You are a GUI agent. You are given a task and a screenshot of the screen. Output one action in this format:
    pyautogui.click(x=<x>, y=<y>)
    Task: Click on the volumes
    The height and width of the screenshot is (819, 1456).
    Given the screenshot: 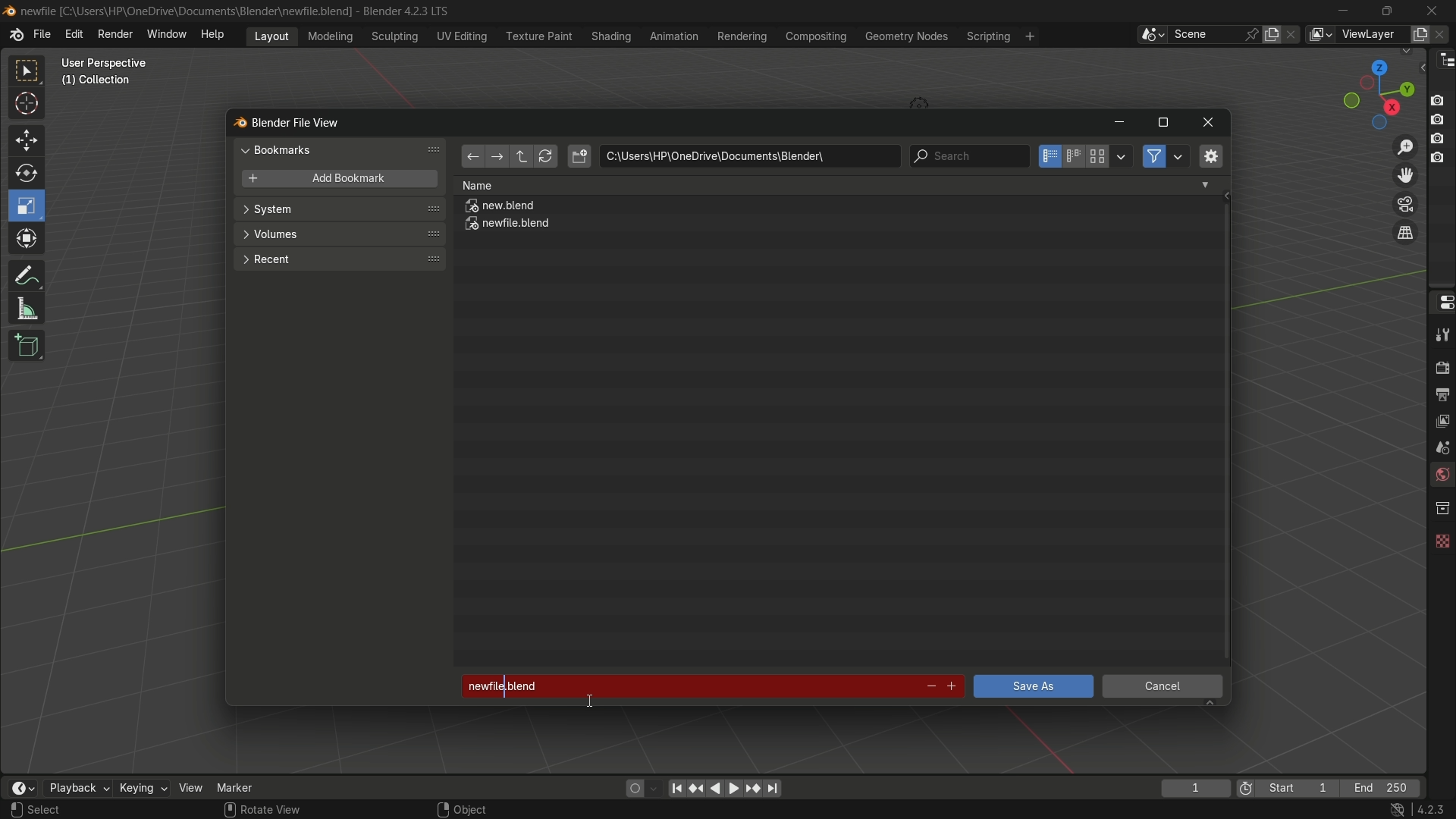 What is the action you would take?
    pyautogui.click(x=338, y=234)
    